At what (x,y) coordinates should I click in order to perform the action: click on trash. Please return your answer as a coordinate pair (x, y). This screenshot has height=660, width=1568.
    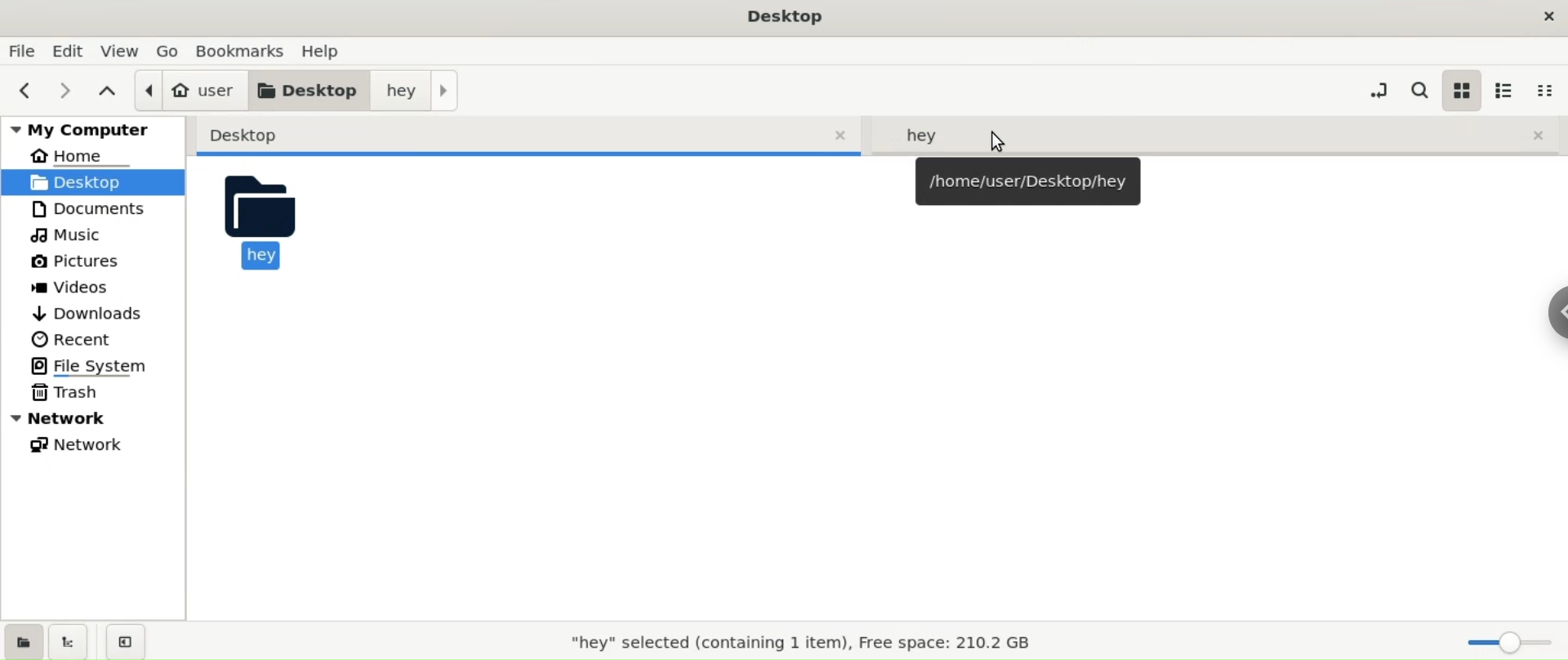
    Looking at the image, I should click on (99, 393).